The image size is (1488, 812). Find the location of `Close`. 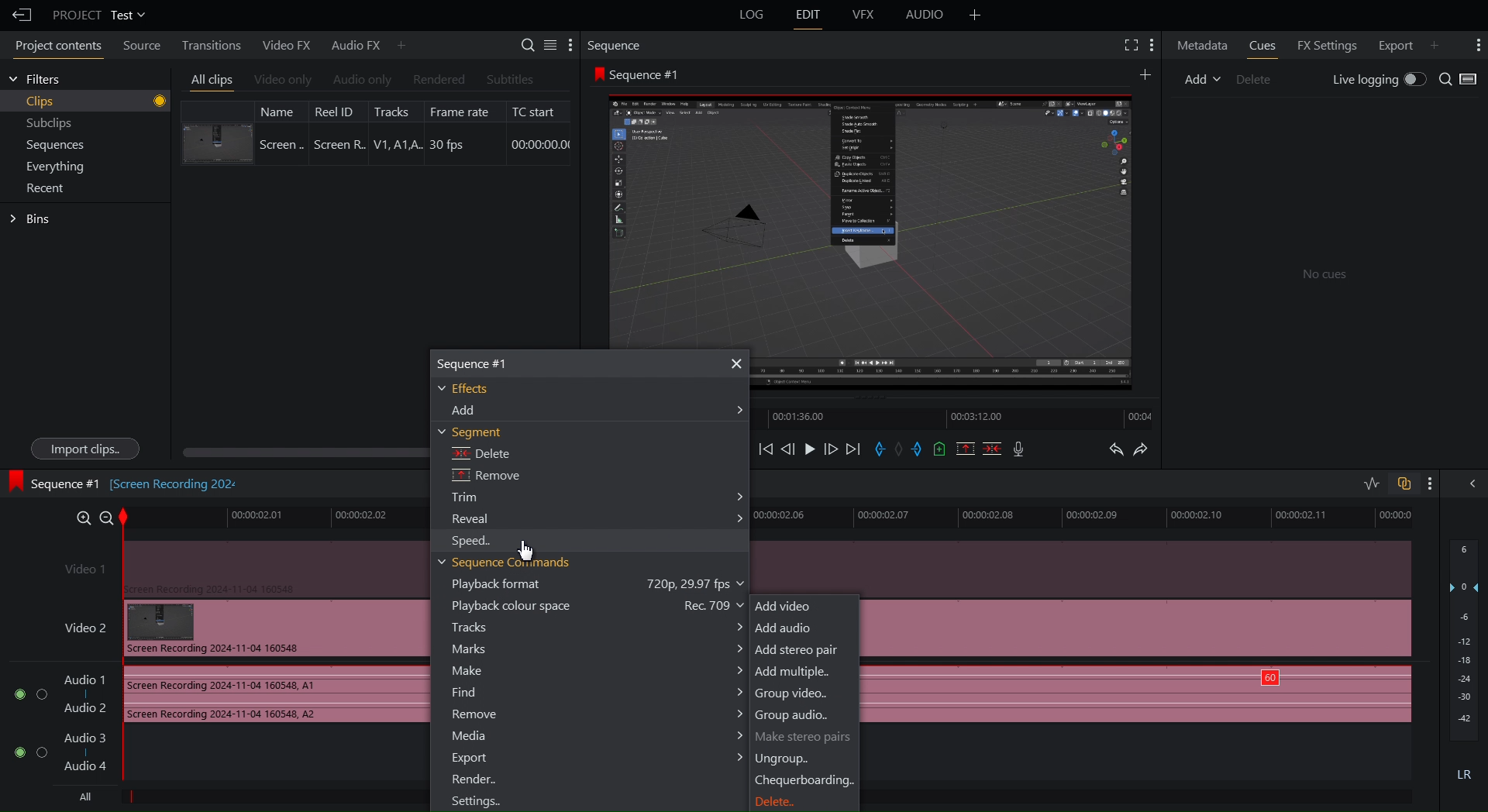

Close is located at coordinates (734, 364).